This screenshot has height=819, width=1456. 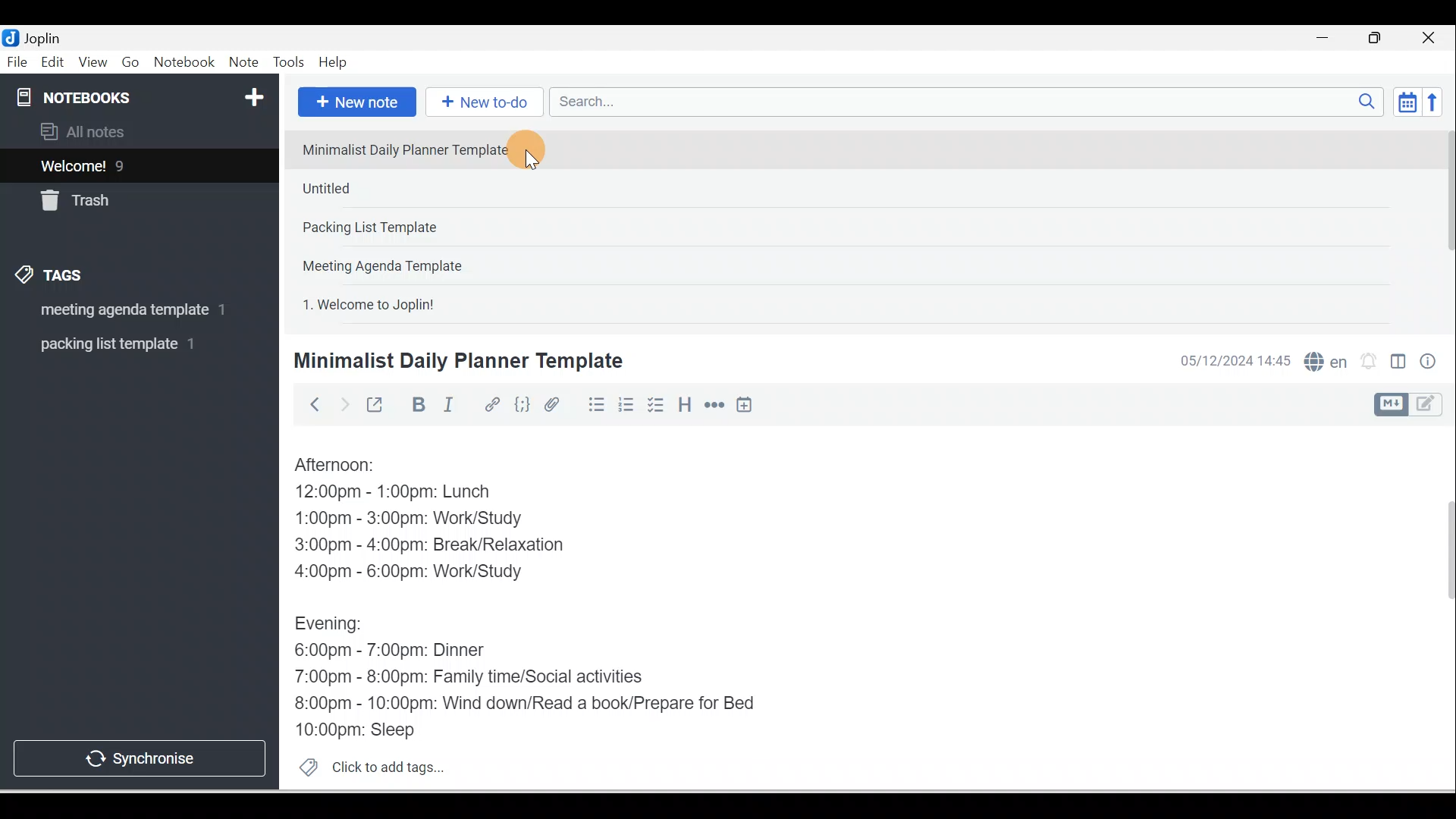 What do you see at coordinates (339, 626) in the screenshot?
I see `Evening:` at bounding box center [339, 626].